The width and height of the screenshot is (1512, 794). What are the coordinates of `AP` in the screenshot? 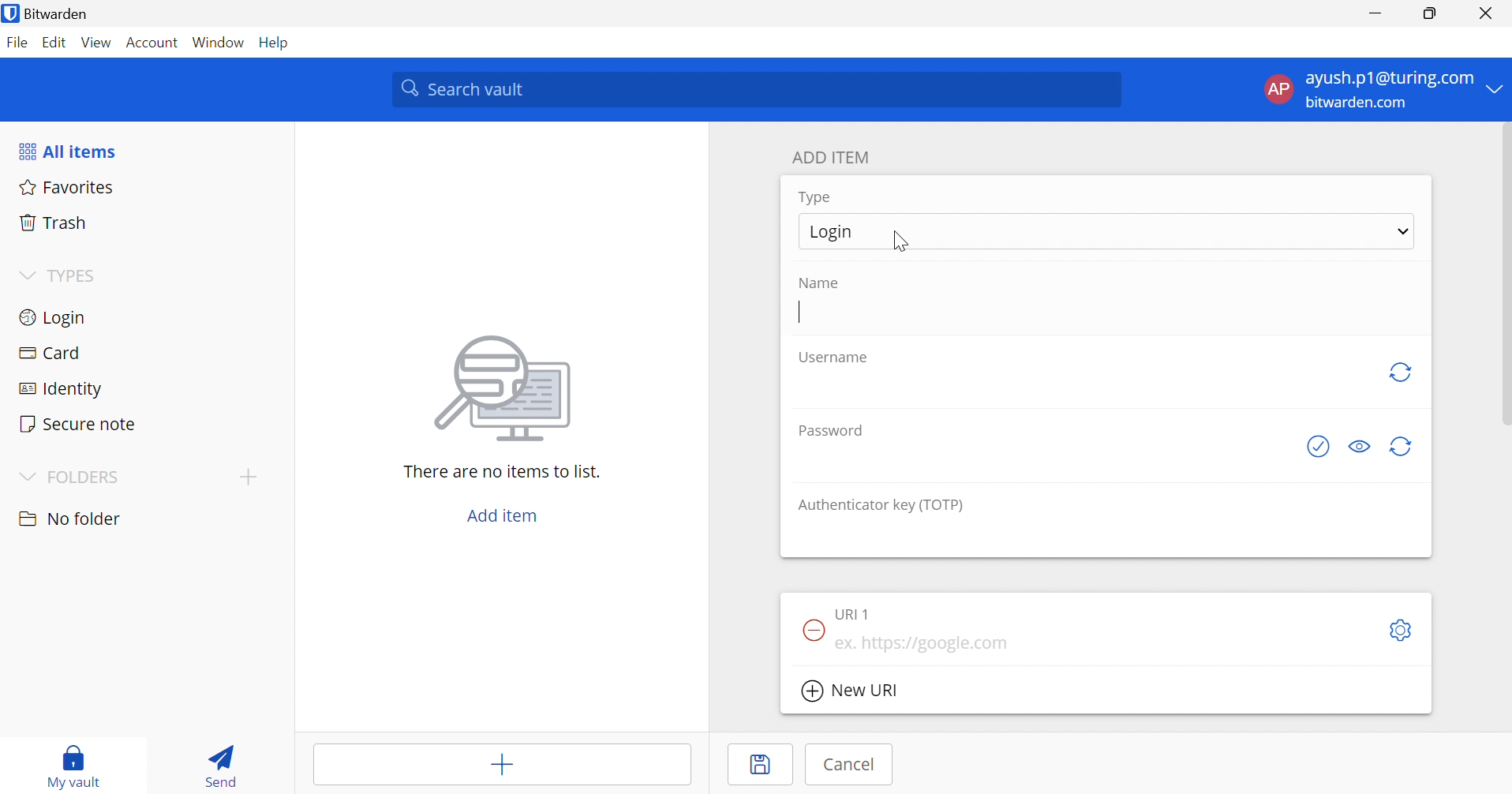 It's located at (1276, 88).